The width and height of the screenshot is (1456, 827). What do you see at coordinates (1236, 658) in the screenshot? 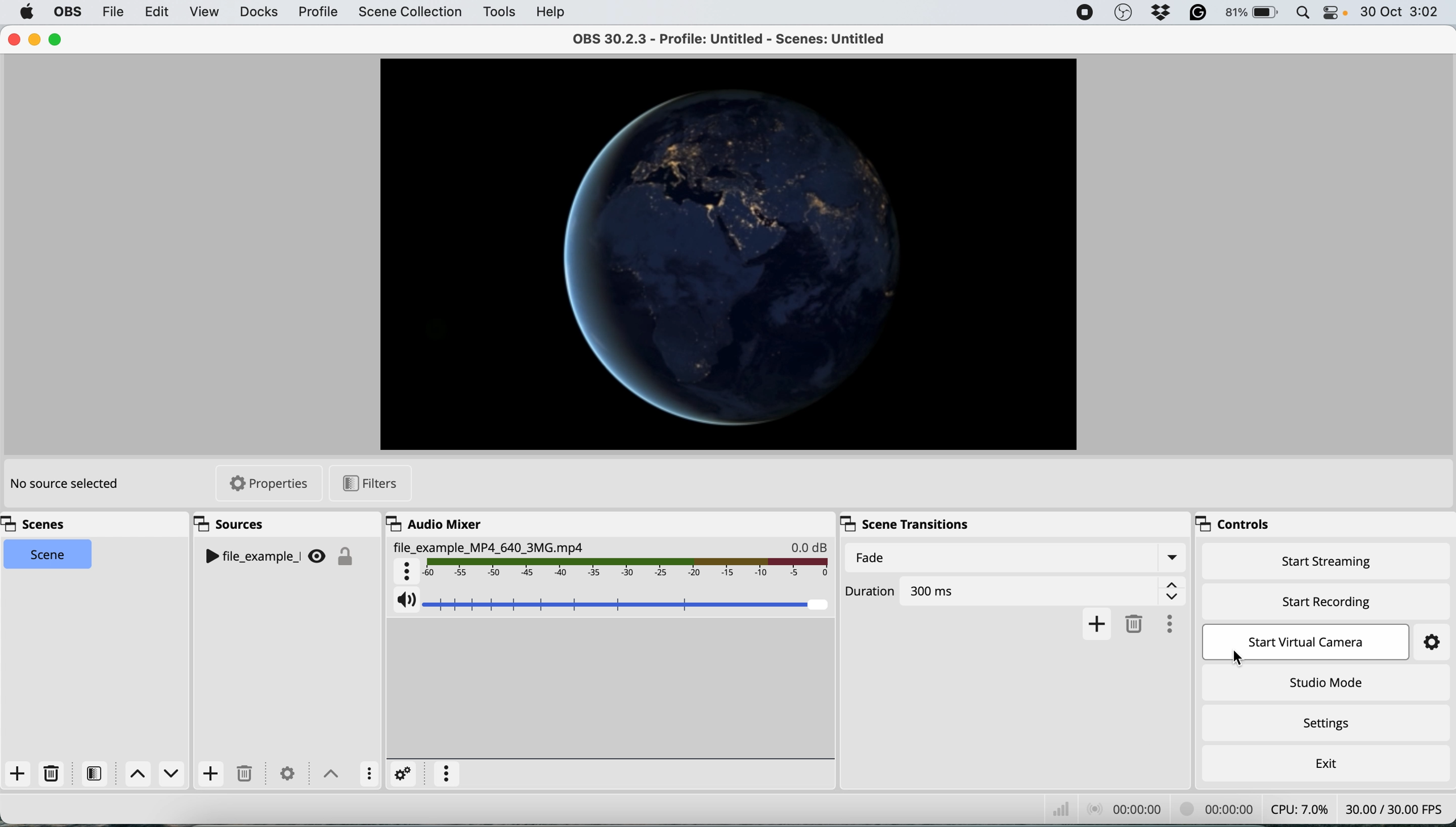
I see `cursor` at bounding box center [1236, 658].